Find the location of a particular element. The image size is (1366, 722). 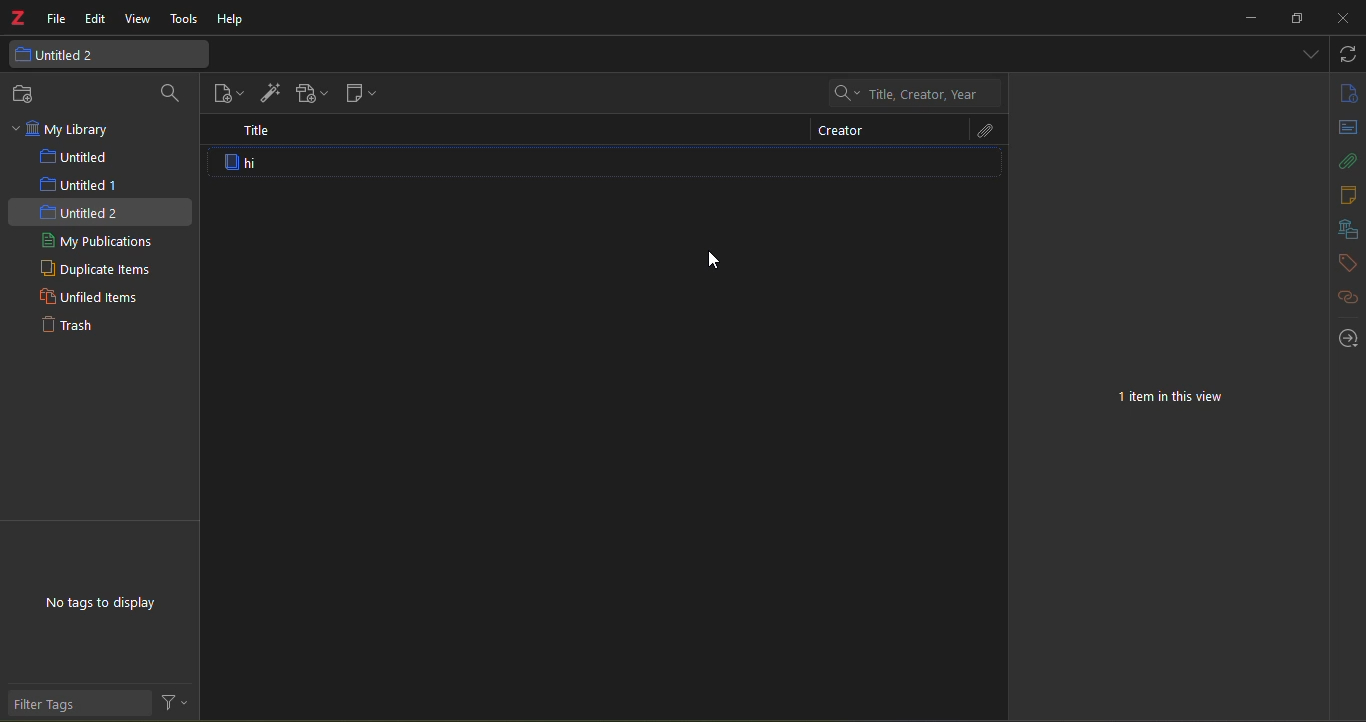

filter is located at coordinates (174, 702).